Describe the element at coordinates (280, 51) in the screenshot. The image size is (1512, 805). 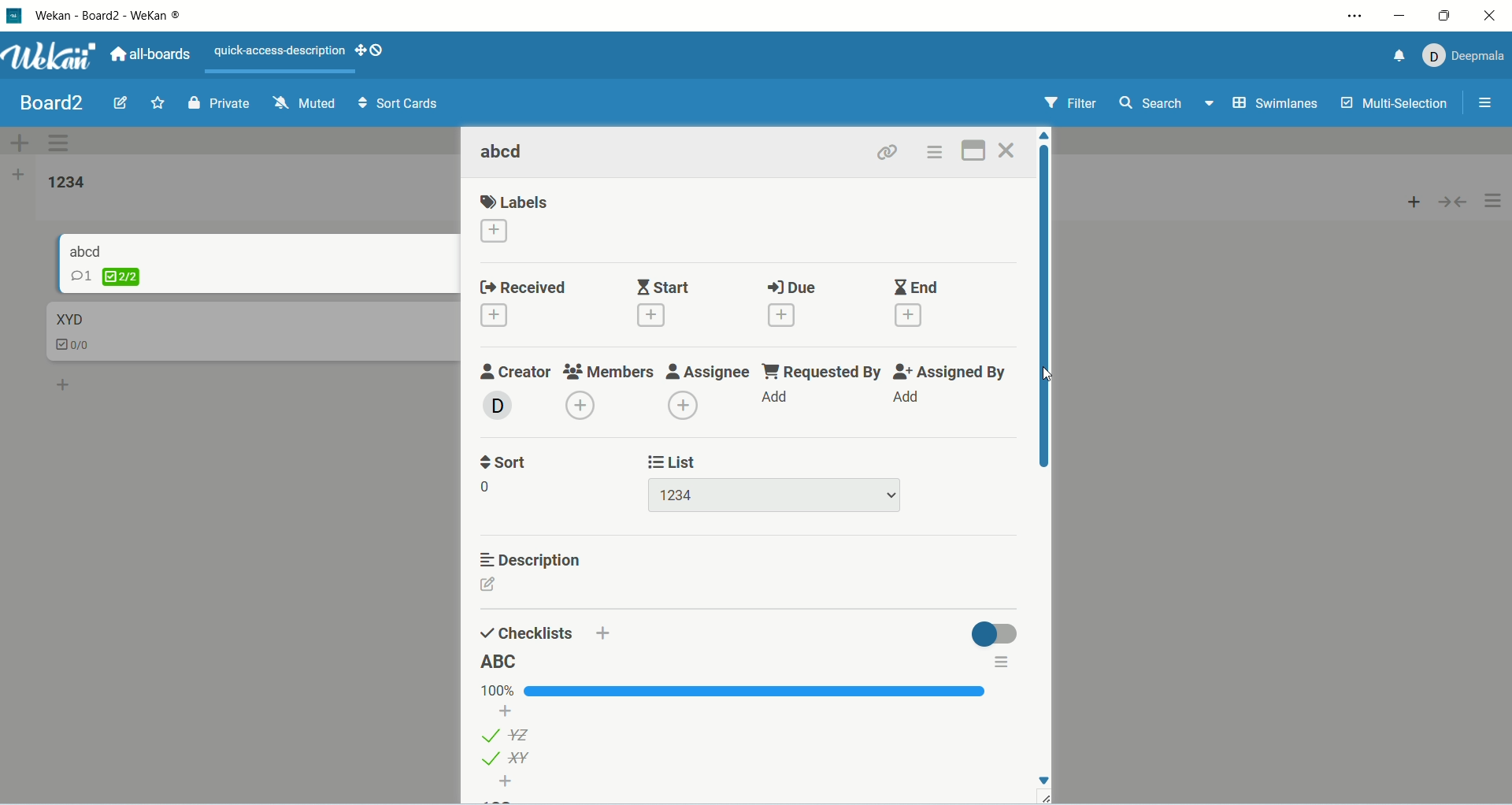
I see `text` at that location.